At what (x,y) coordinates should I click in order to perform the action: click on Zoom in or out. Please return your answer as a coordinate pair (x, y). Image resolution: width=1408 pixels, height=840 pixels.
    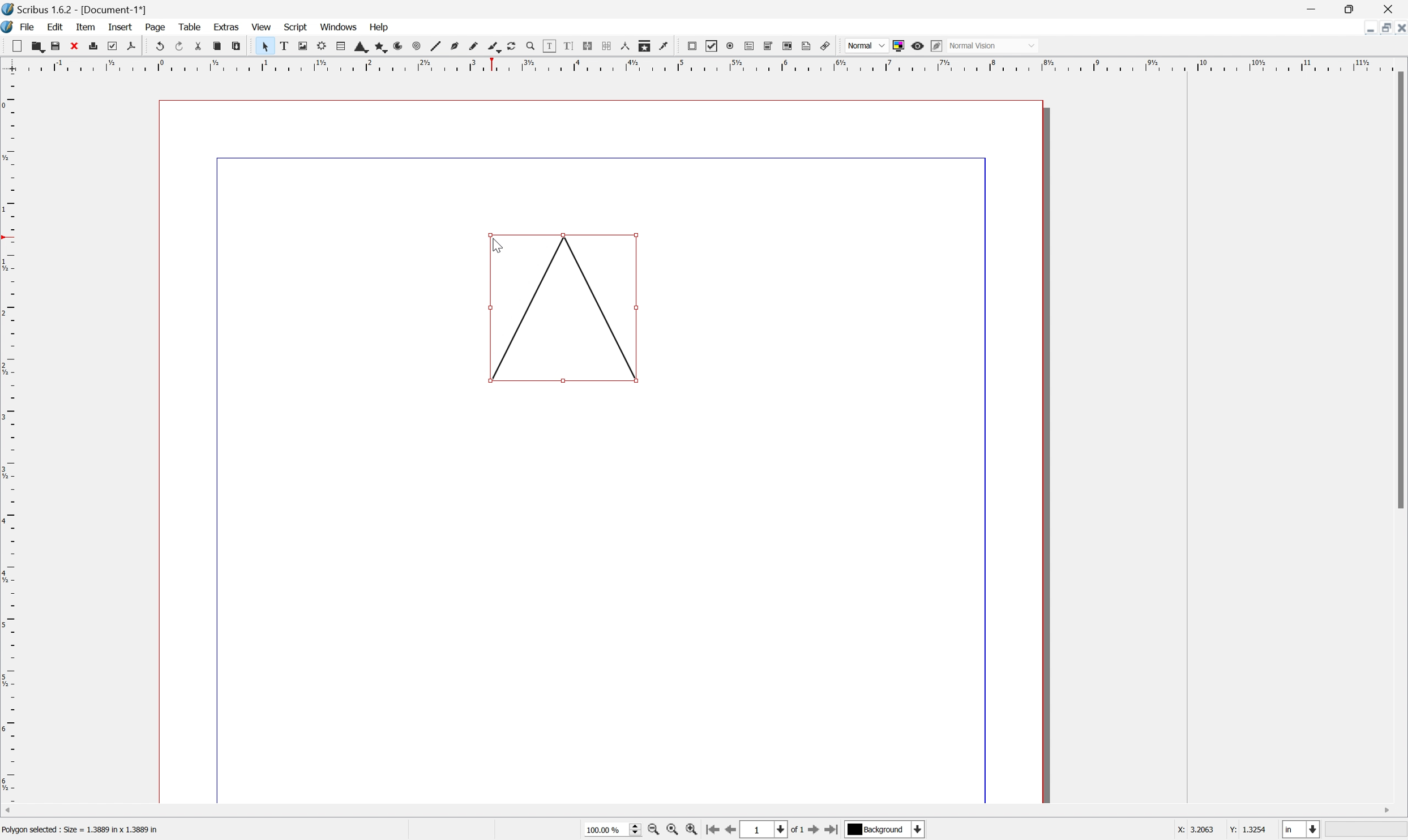
    Looking at the image, I should click on (529, 45).